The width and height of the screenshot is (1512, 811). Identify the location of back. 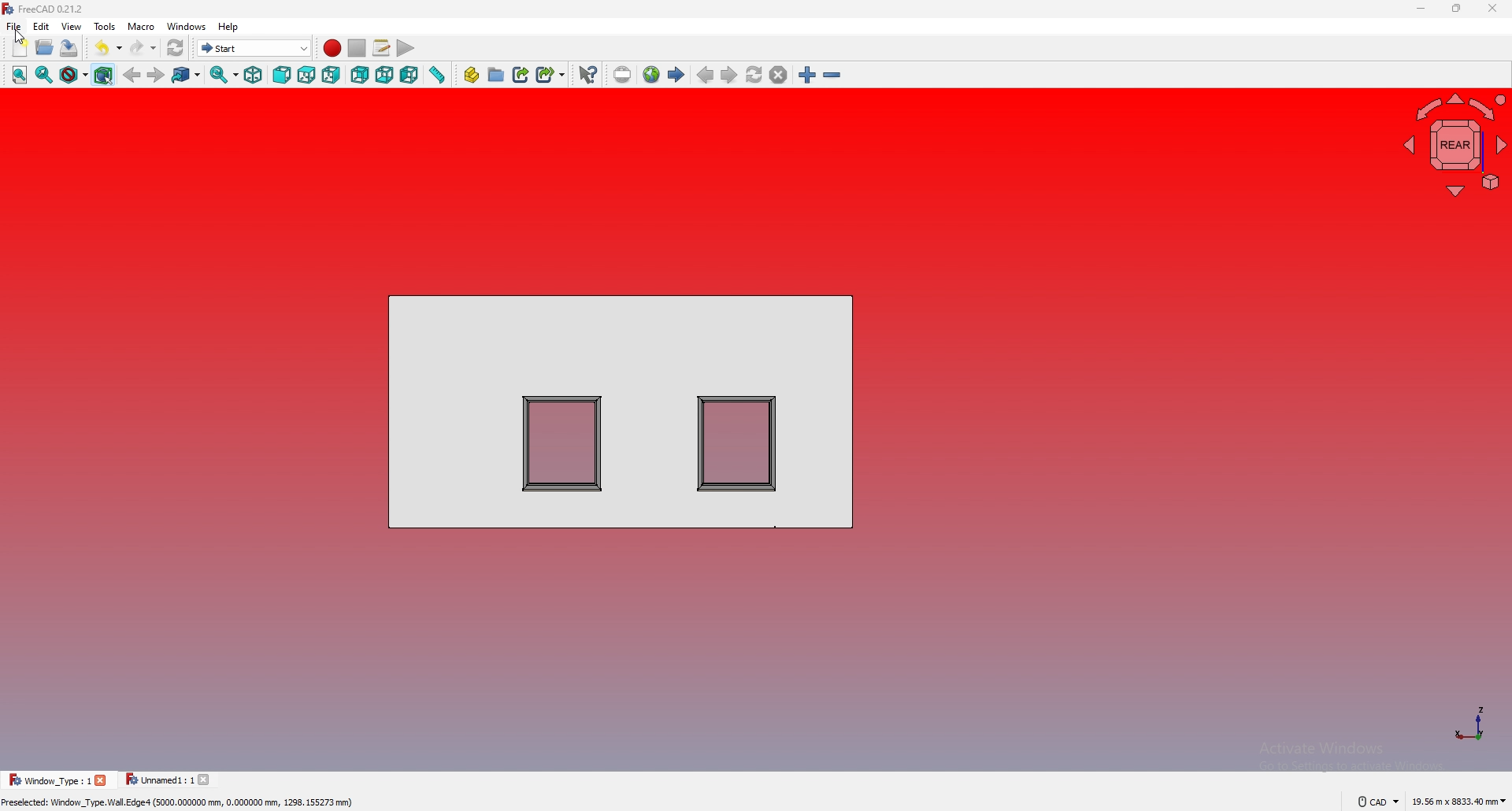
(132, 76).